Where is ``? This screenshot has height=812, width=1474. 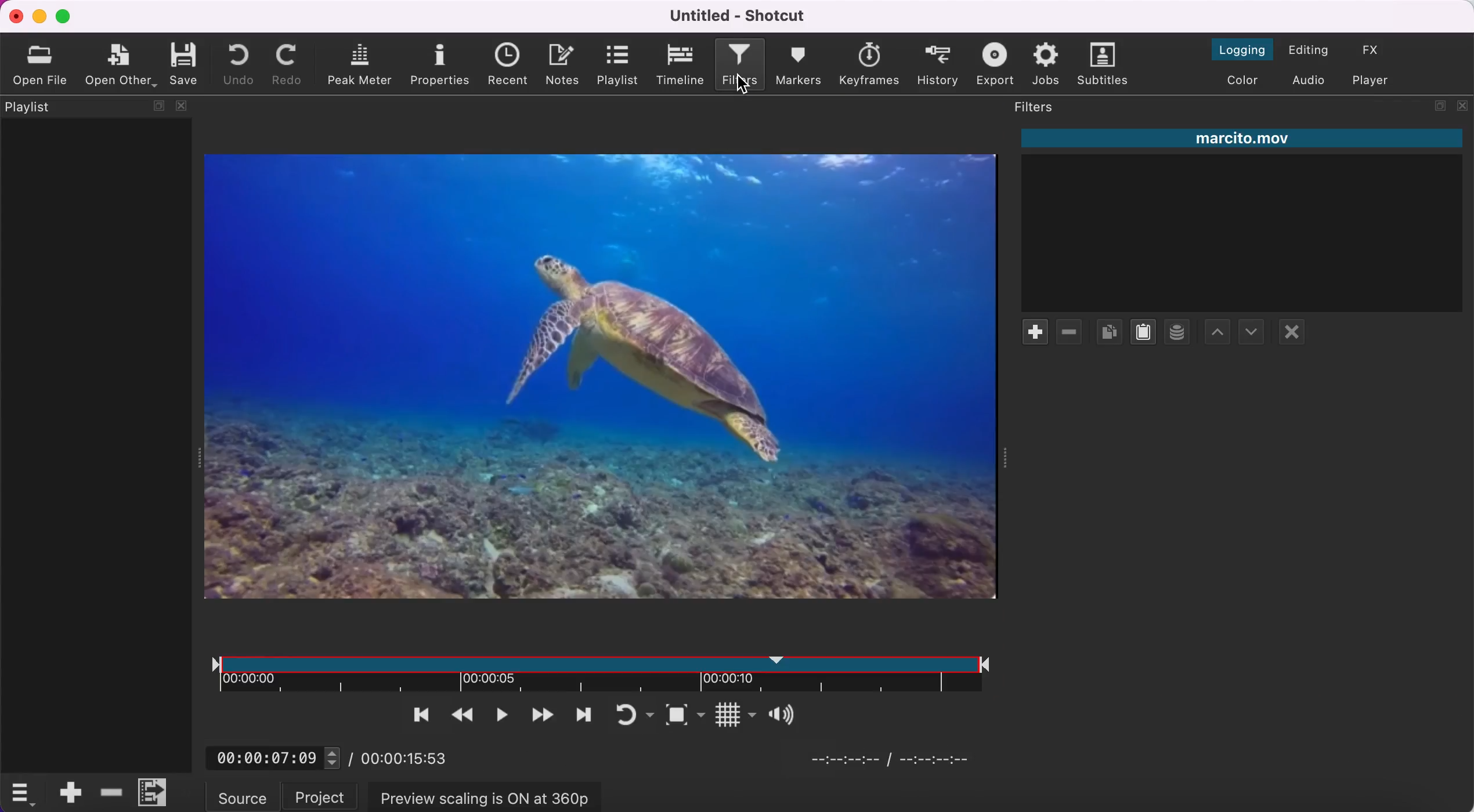
 is located at coordinates (782, 713).